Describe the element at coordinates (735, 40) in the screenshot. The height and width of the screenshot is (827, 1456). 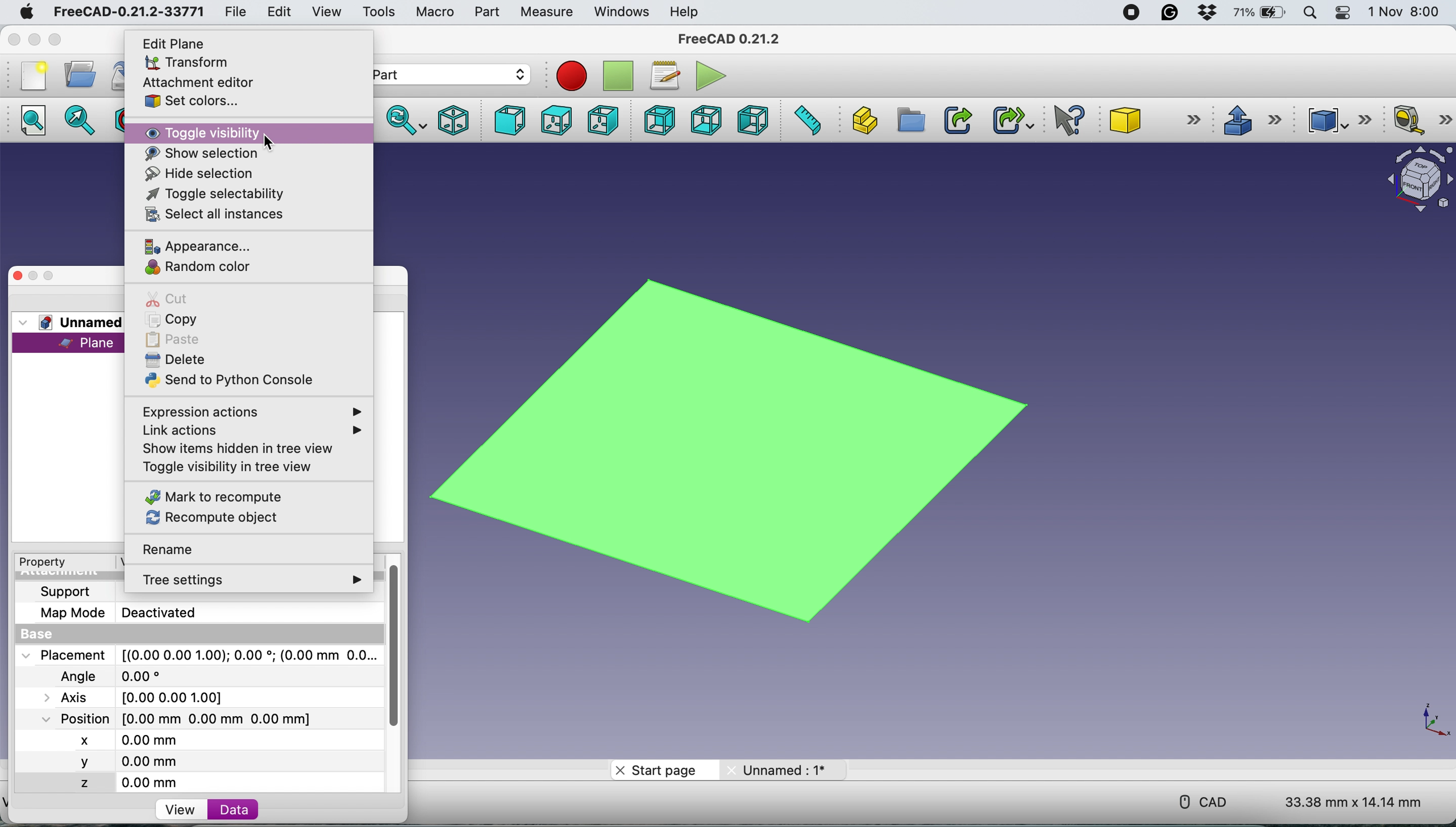
I see `FreeCAD 0.21.2` at that location.